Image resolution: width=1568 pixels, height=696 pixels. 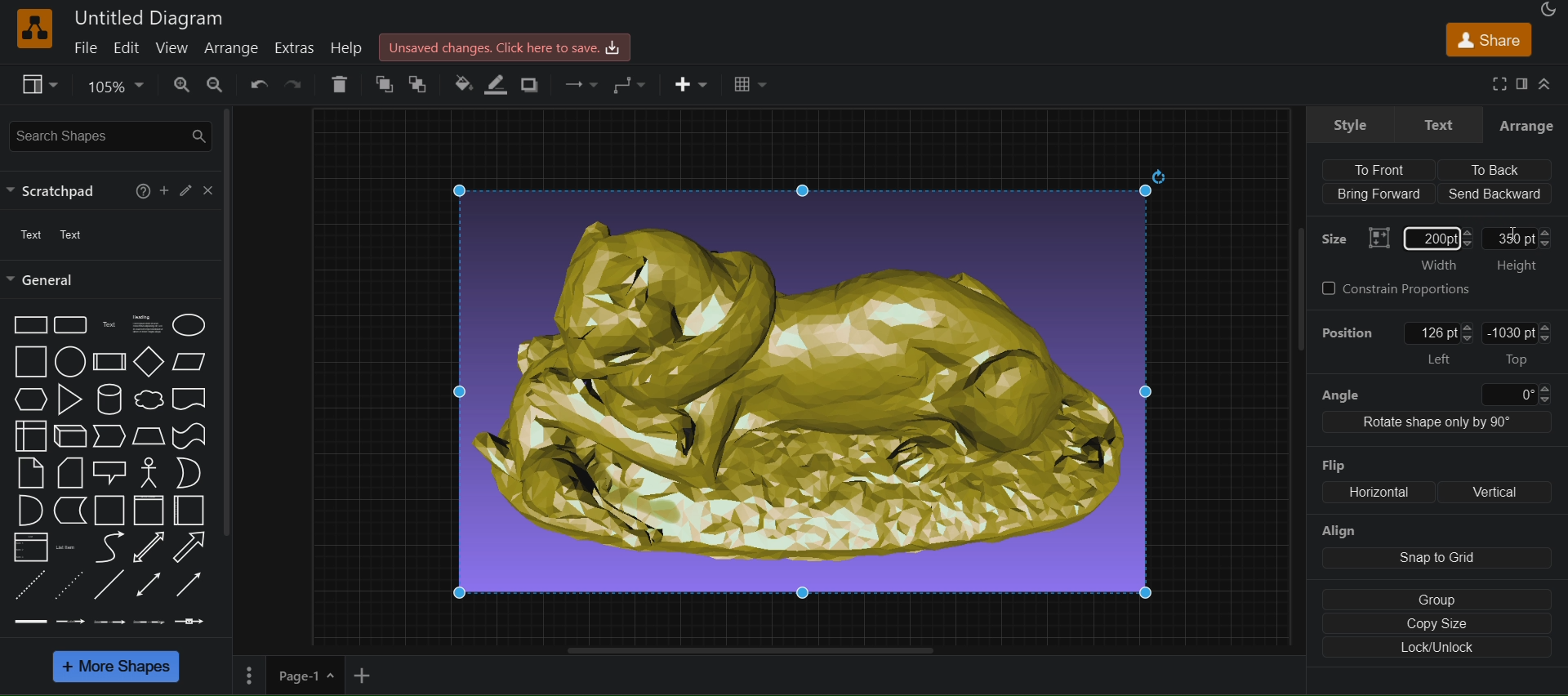 I want to click on delete, so click(x=340, y=83).